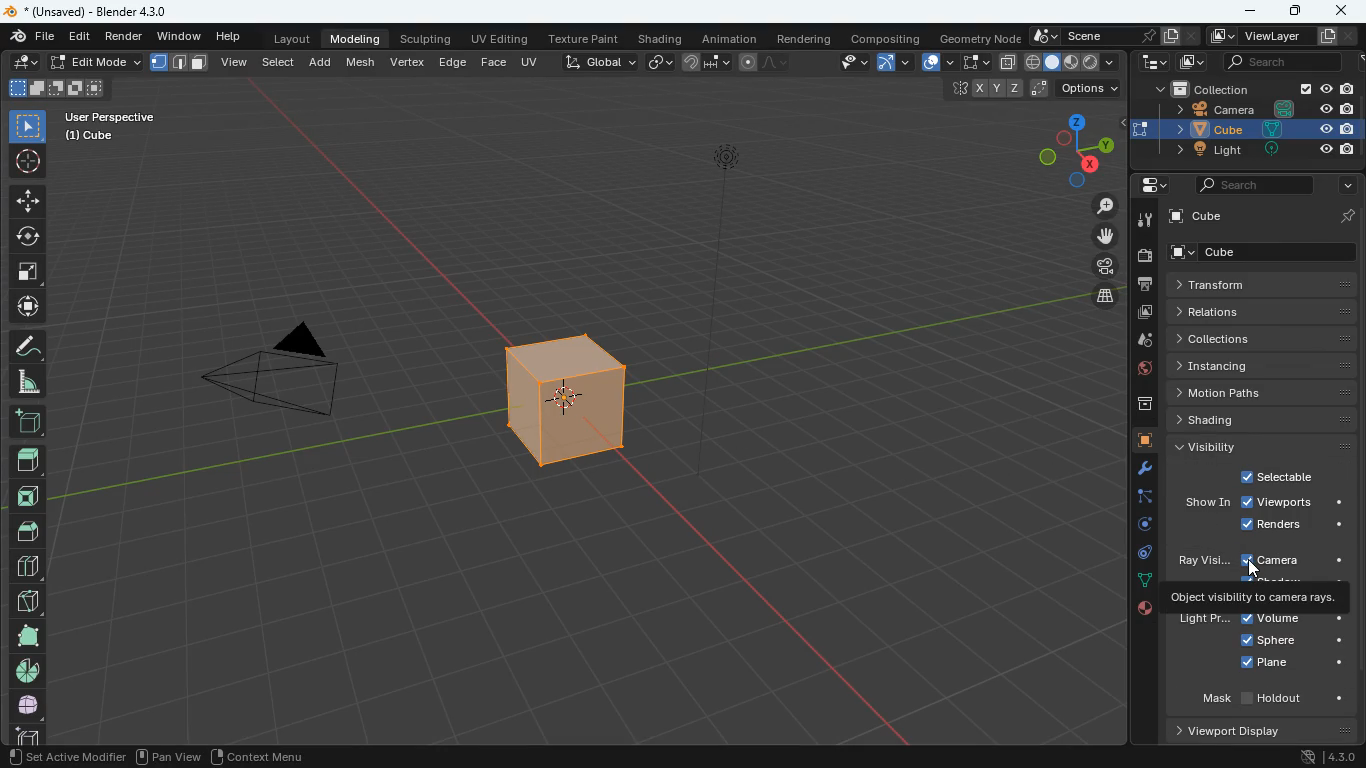 The image size is (1366, 768). I want to click on cursor, so click(1256, 570).